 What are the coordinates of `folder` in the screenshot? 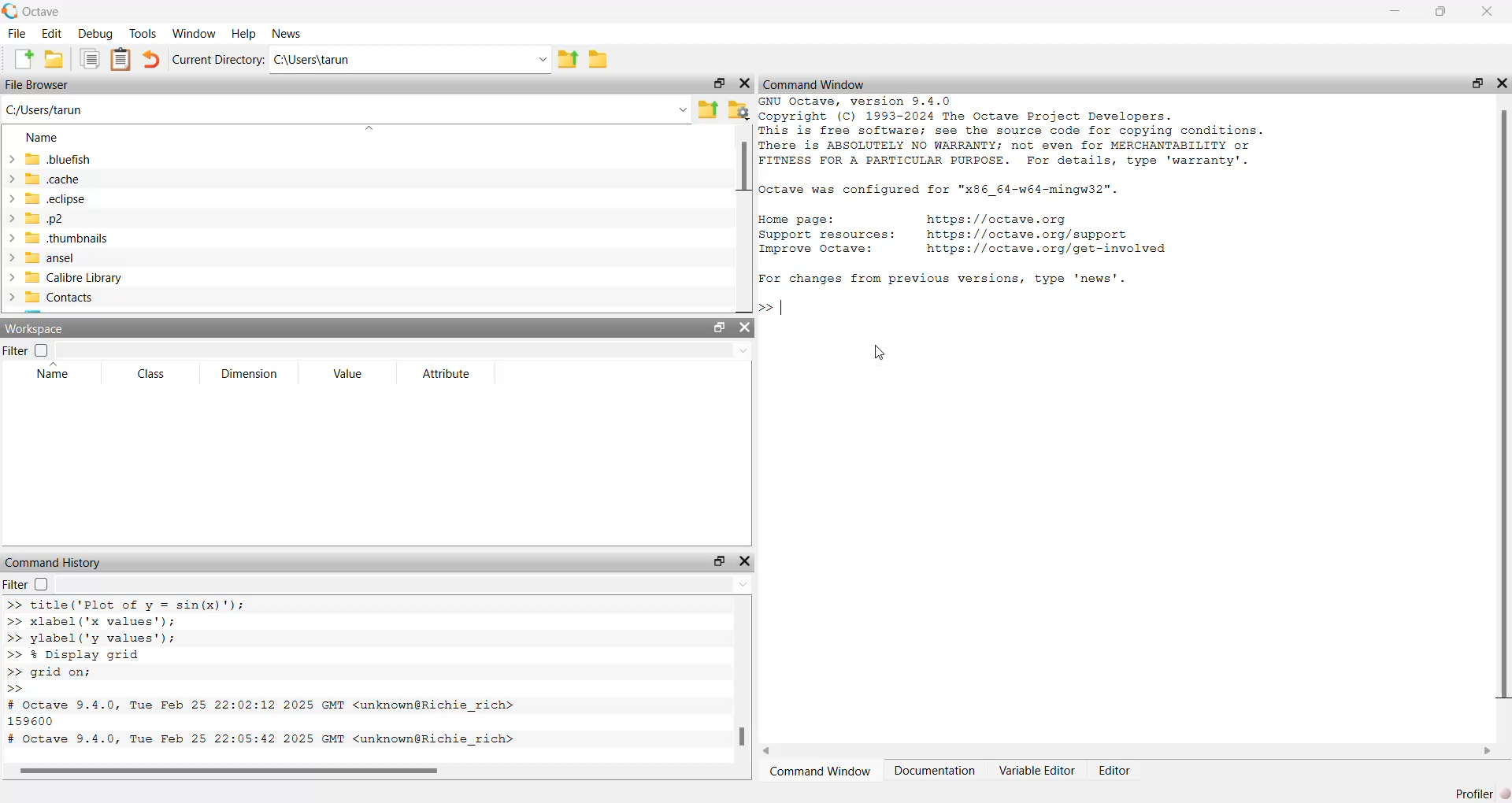 It's located at (598, 60).